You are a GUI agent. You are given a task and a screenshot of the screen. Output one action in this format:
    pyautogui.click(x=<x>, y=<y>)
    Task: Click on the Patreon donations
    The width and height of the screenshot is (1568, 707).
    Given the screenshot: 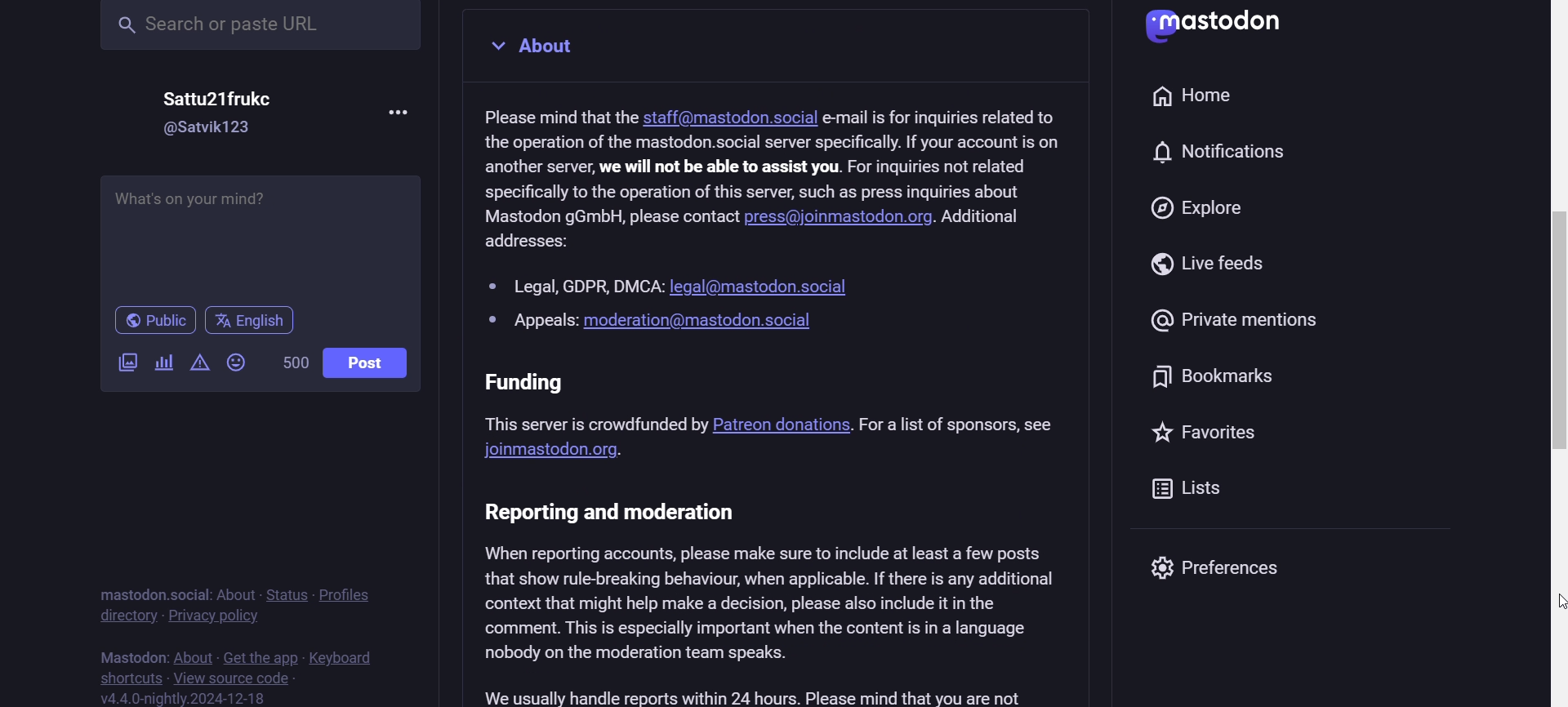 What is the action you would take?
    pyautogui.click(x=781, y=421)
    